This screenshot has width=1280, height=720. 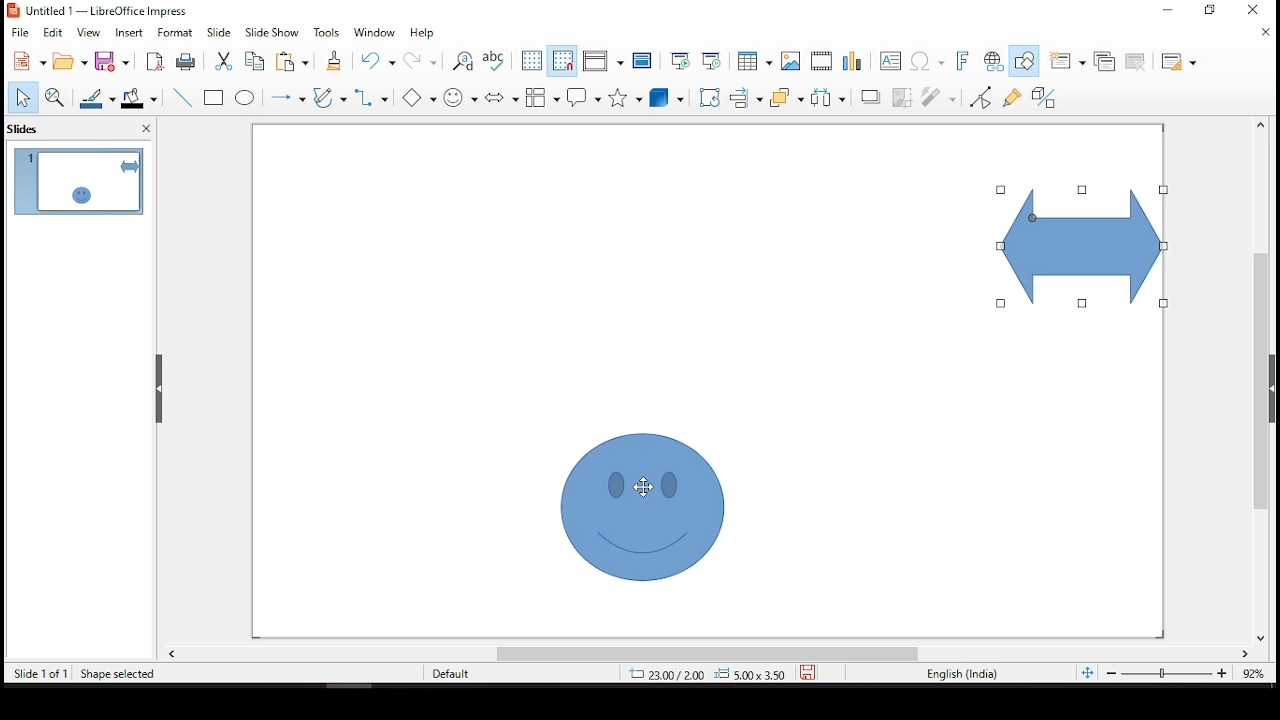 I want to click on flowchart, so click(x=541, y=94).